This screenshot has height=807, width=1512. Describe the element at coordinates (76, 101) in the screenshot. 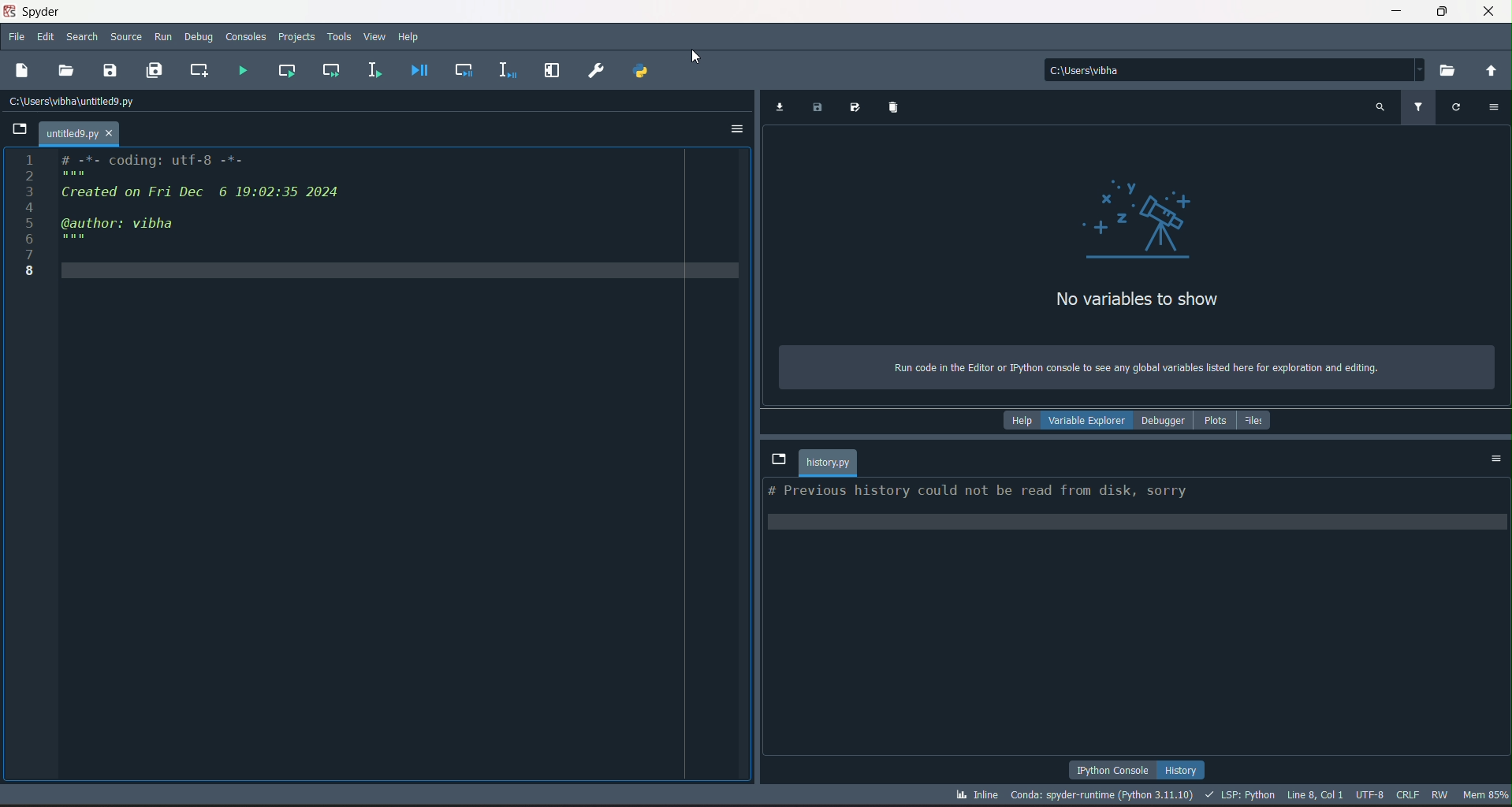

I see `file path` at that location.